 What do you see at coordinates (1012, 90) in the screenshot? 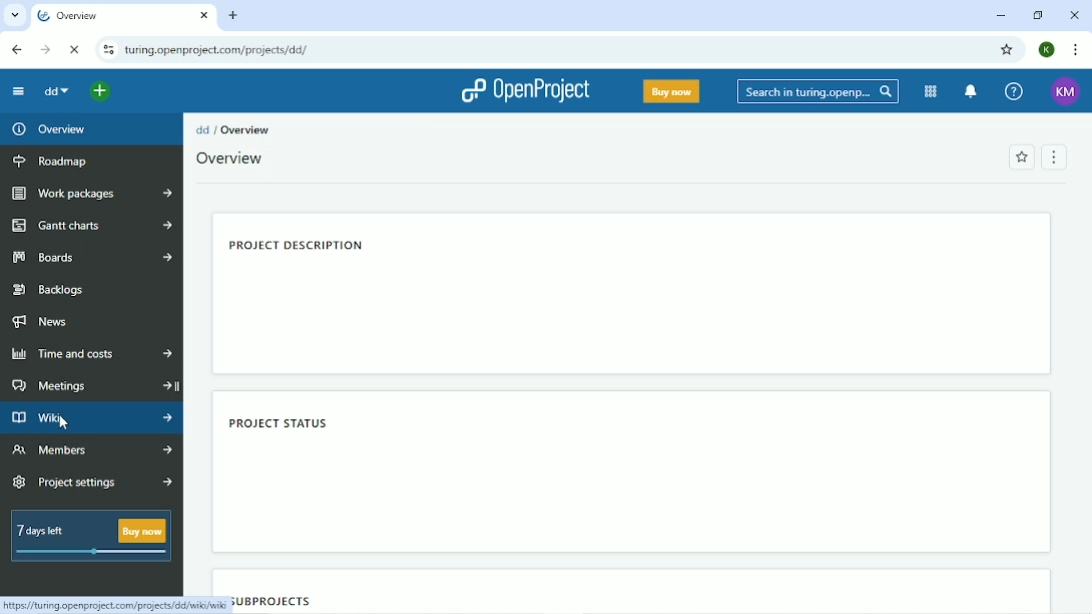
I see `Help` at bounding box center [1012, 90].